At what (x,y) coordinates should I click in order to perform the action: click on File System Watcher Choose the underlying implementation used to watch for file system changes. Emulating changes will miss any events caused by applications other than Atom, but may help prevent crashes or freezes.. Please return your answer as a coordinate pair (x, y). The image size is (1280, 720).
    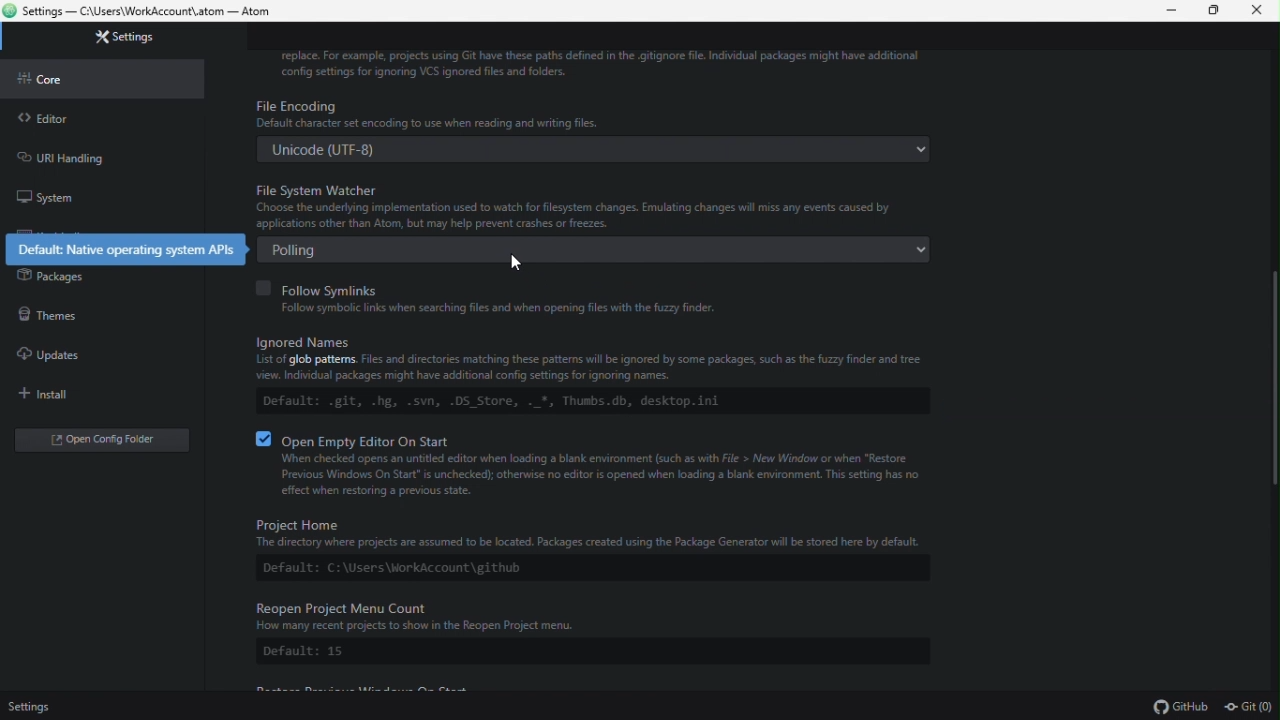
    Looking at the image, I should click on (595, 205).